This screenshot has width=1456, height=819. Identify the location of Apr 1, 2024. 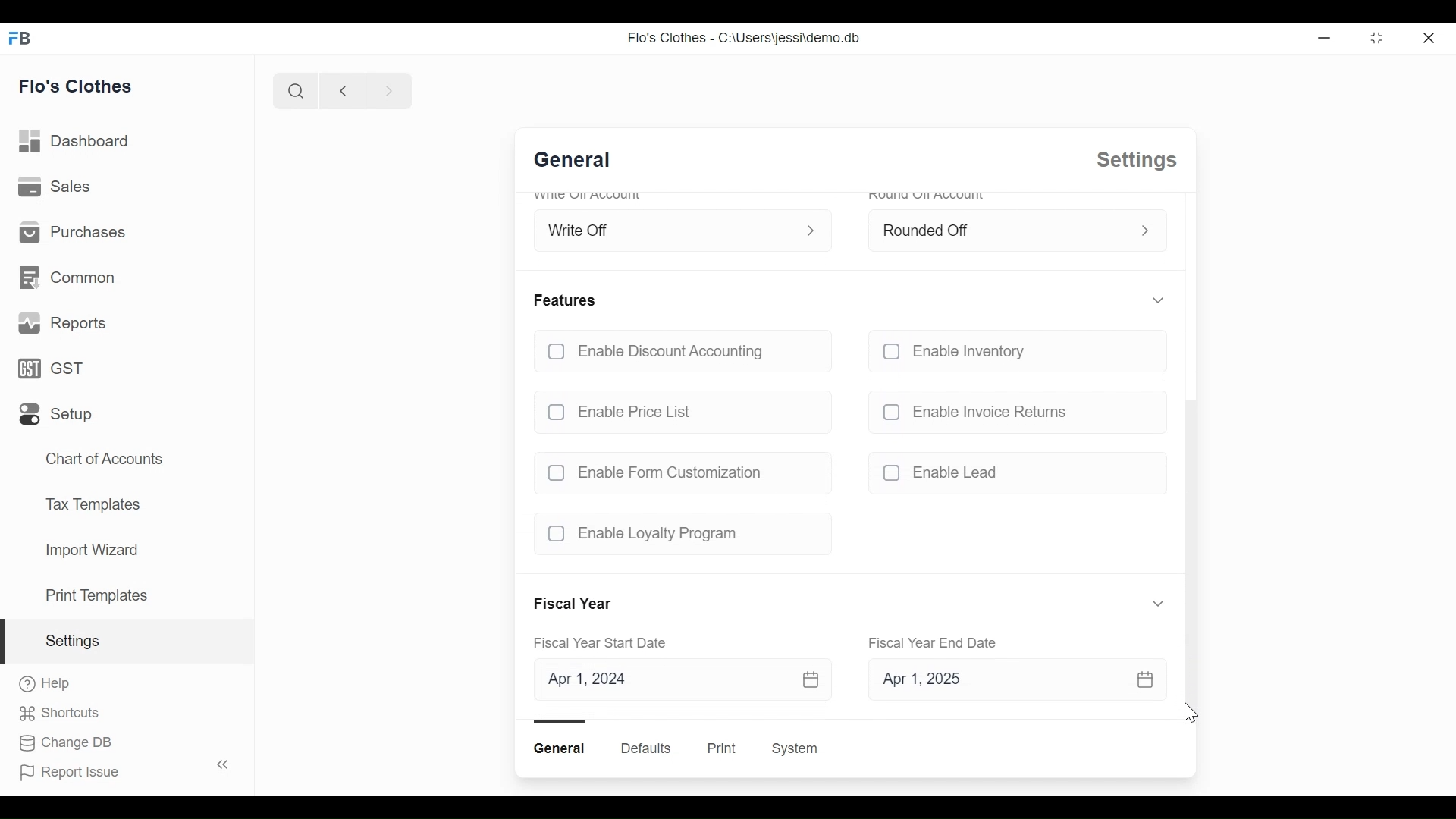
(680, 680).